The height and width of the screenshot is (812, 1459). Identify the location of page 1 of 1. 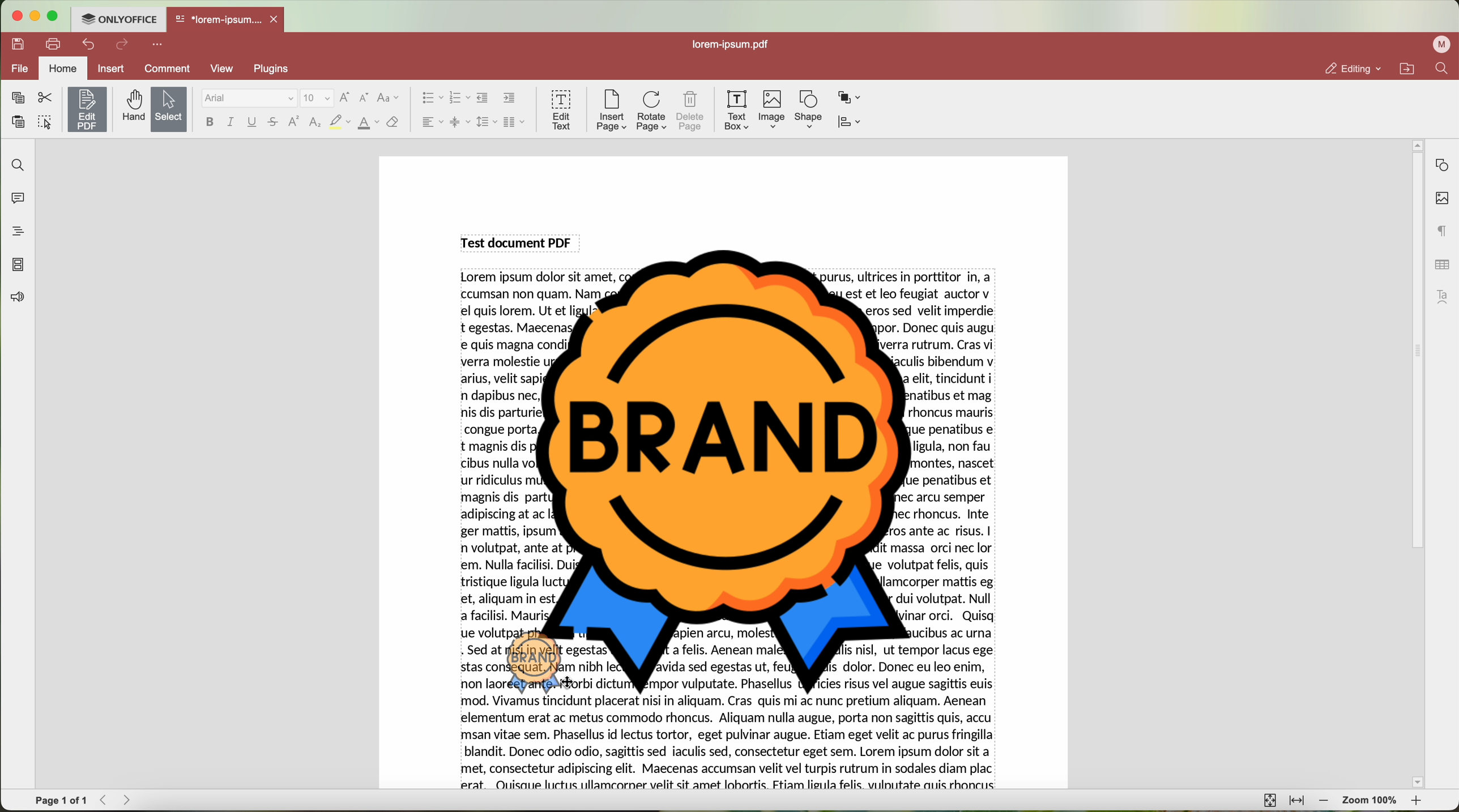
(61, 801).